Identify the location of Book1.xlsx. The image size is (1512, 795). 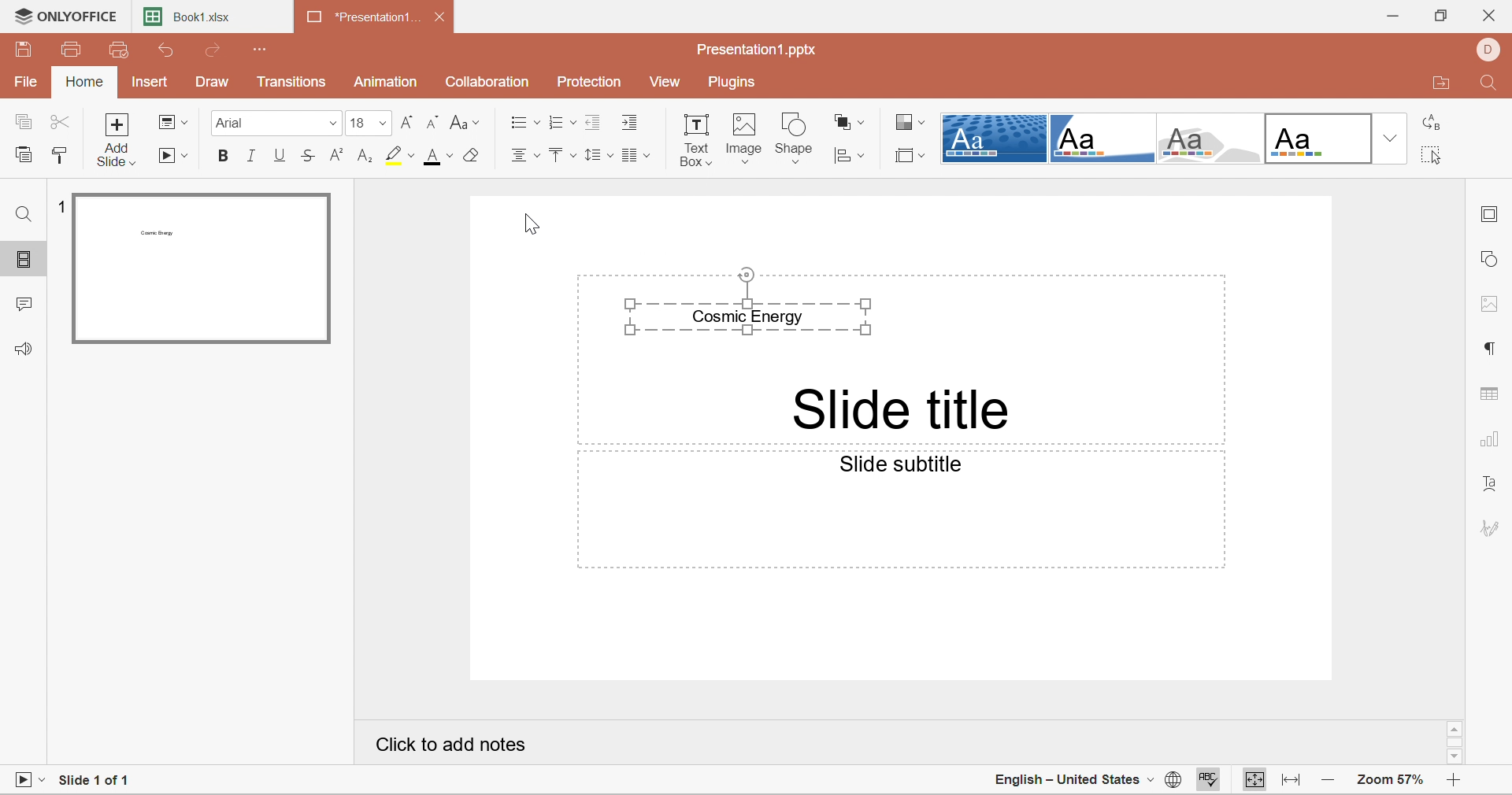
(196, 20).